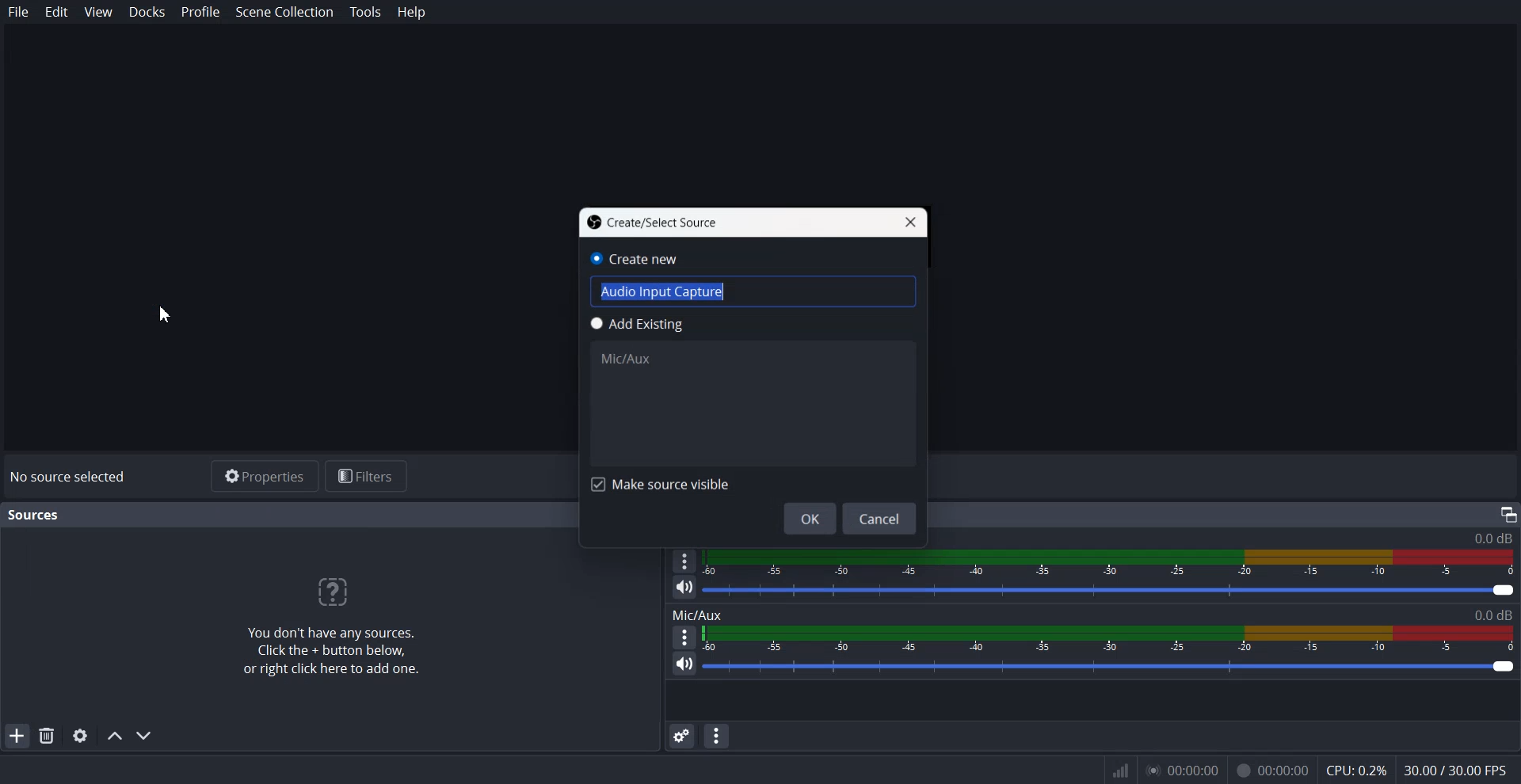 The image size is (1521, 784). What do you see at coordinates (1272, 771) in the screenshot?
I see `Recording` at bounding box center [1272, 771].